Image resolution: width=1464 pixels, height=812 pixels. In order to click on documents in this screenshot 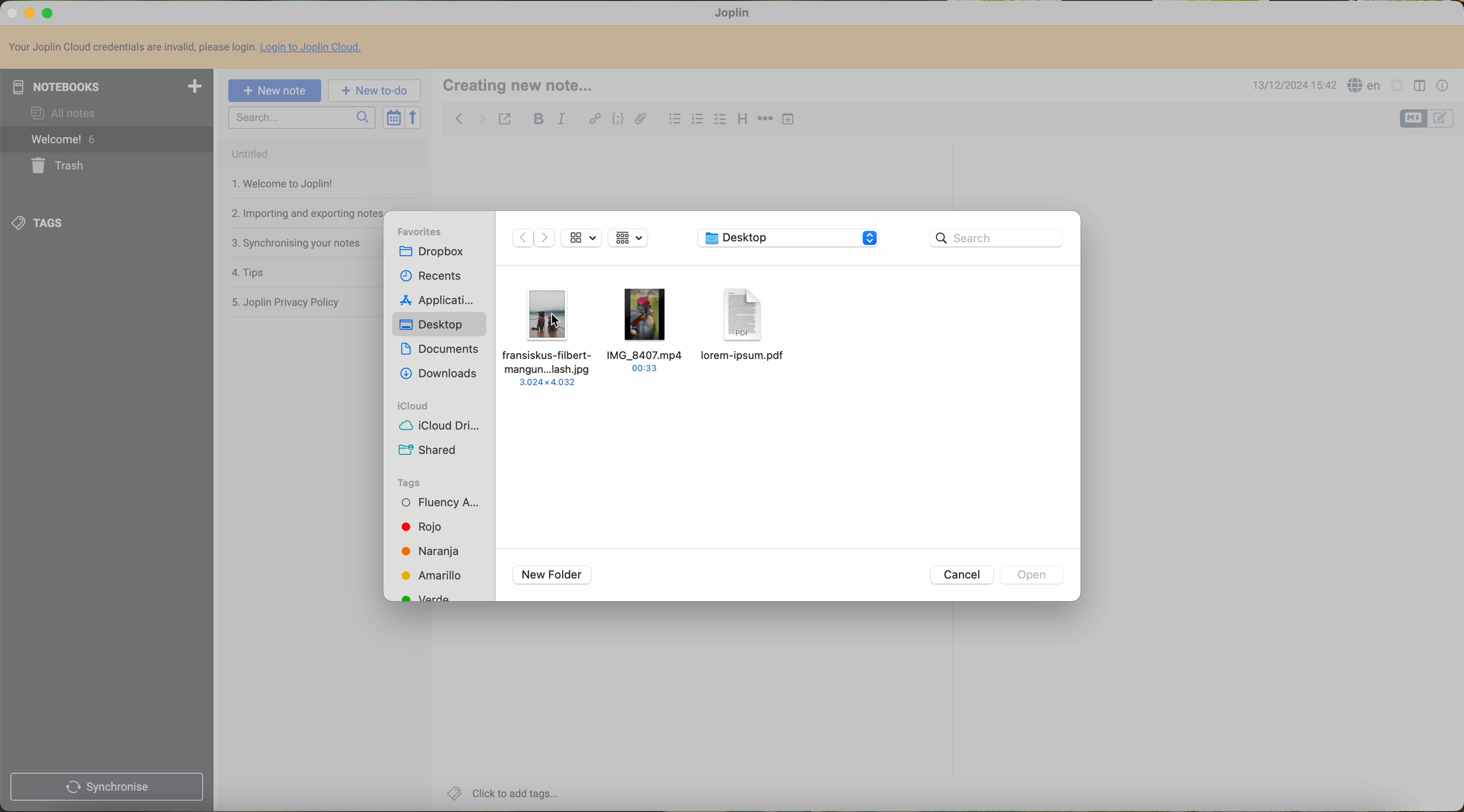, I will do `click(440, 348)`.